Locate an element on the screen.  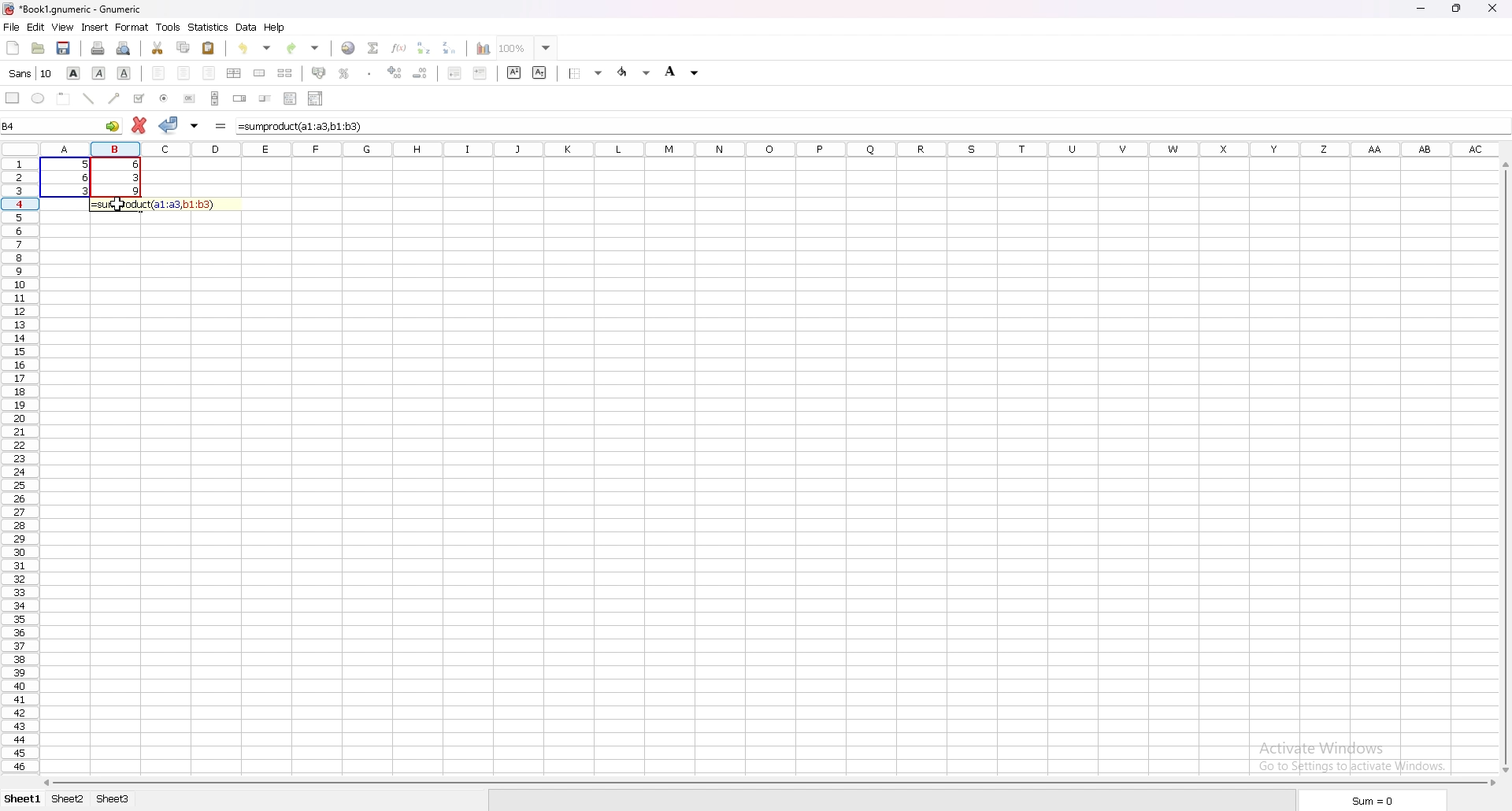
file name is located at coordinates (78, 9).